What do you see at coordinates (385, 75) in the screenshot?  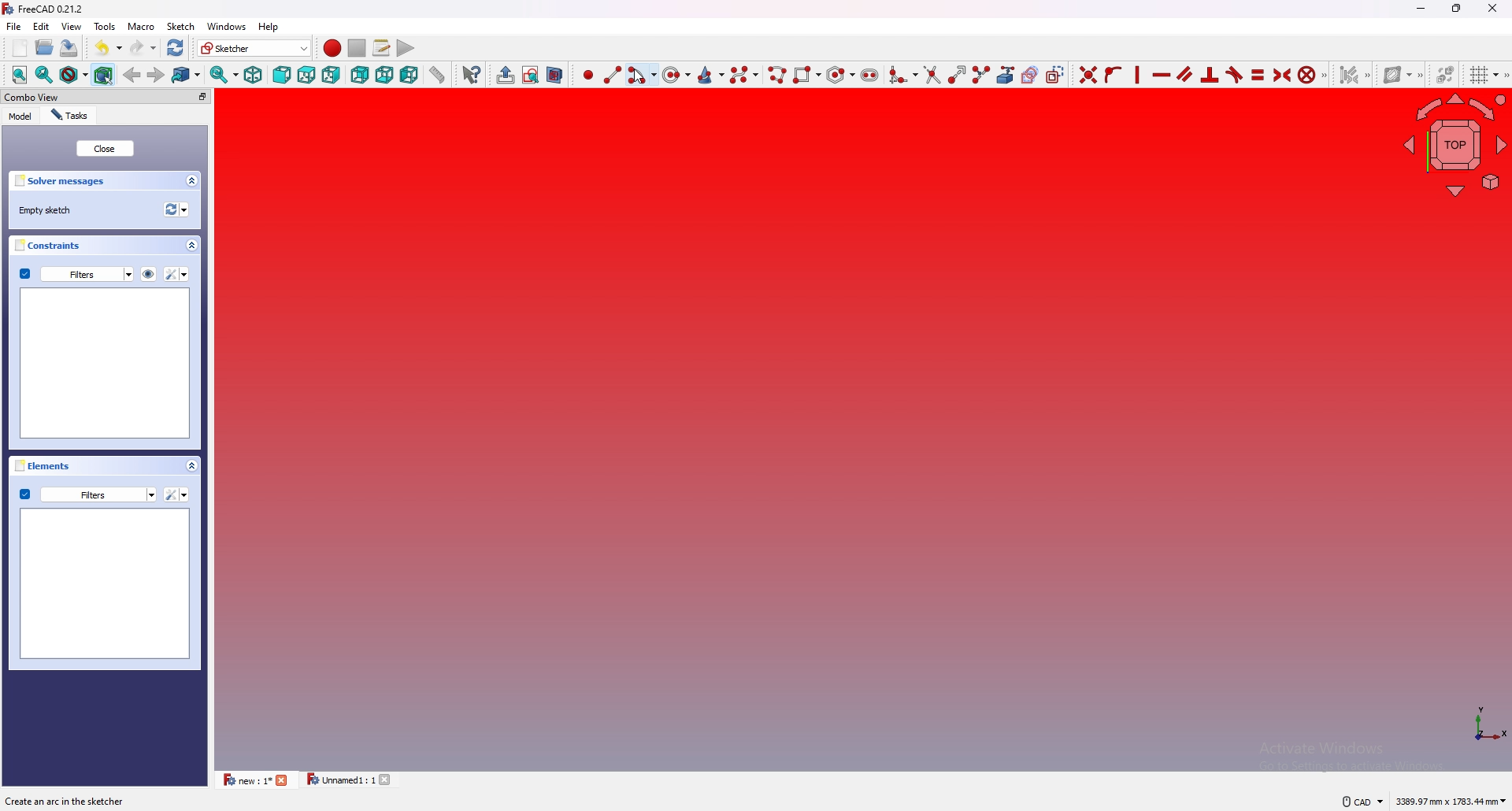 I see `bottom` at bounding box center [385, 75].